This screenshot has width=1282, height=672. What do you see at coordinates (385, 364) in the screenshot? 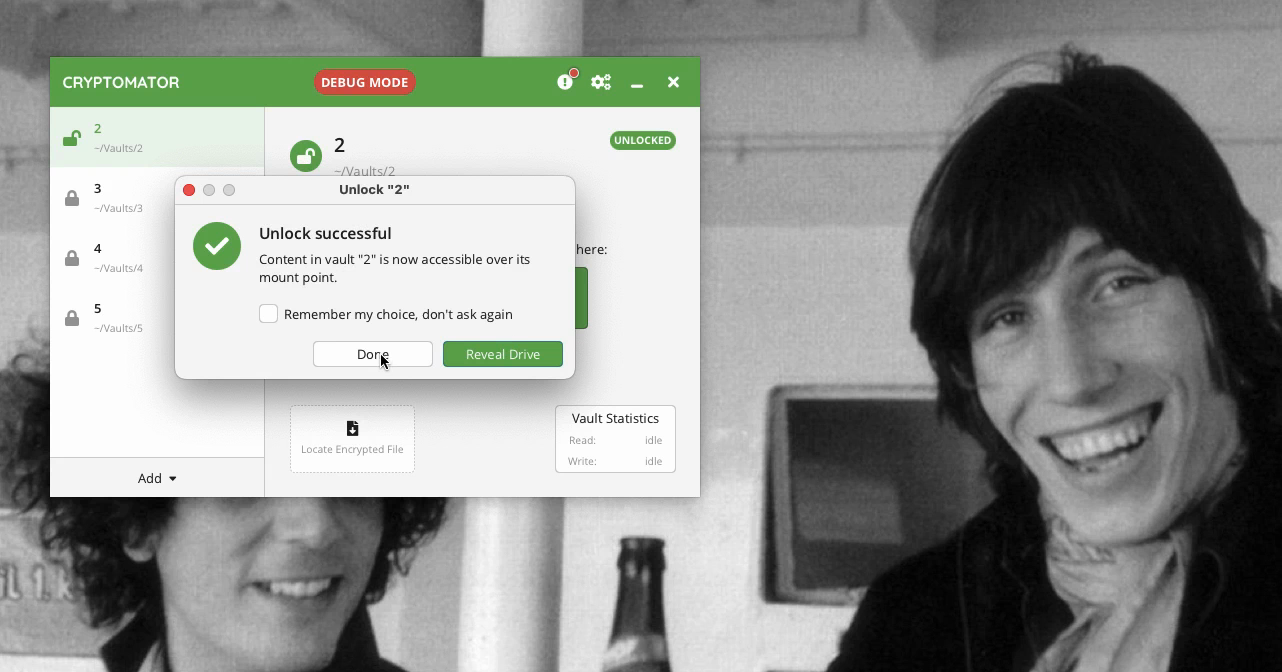
I see `cursor` at bounding box center [385, 364].